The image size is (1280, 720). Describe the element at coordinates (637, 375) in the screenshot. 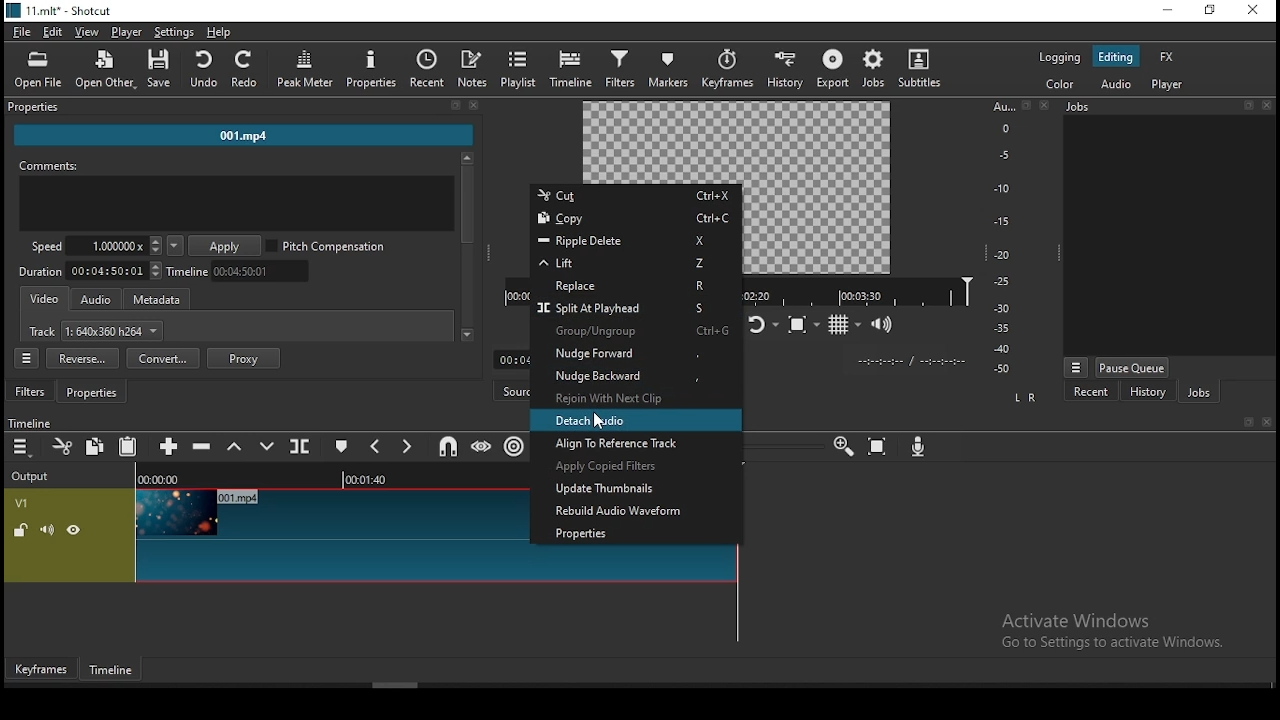

I see `nudge backward` at that location.